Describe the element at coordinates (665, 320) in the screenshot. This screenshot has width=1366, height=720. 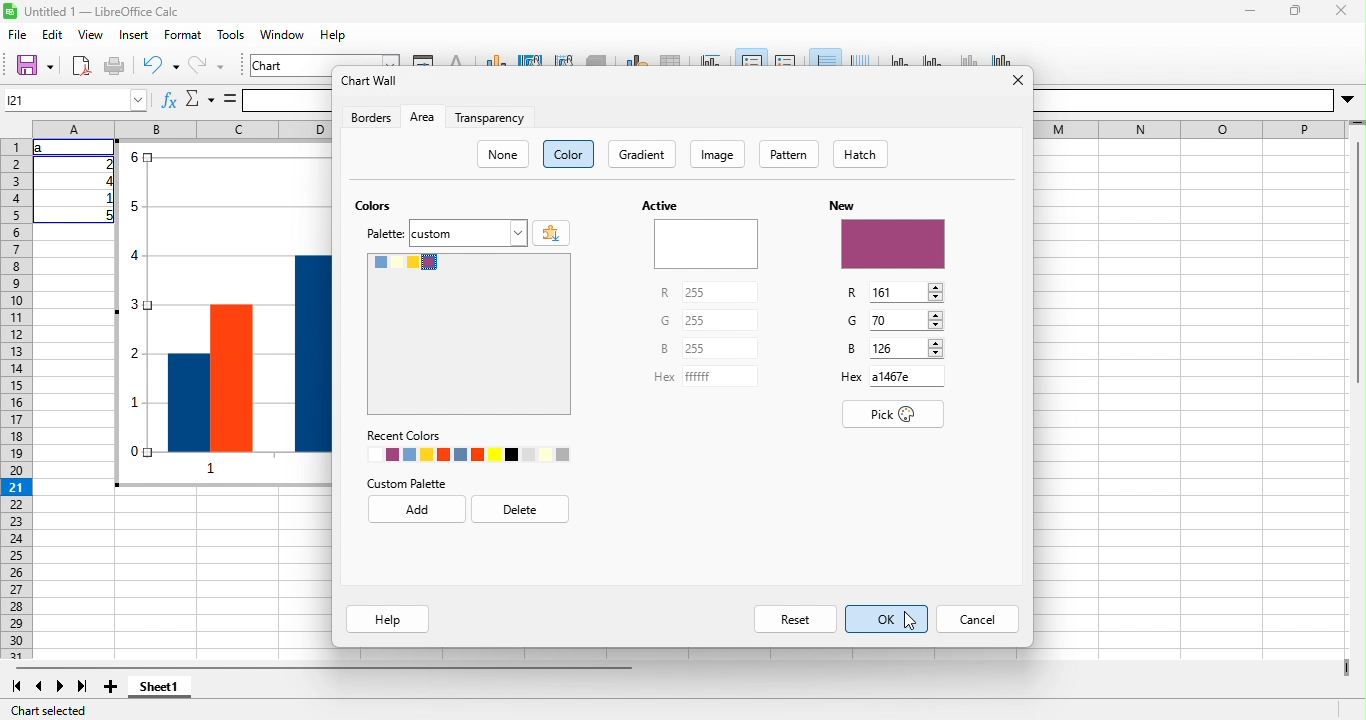
I see `G` at that location.